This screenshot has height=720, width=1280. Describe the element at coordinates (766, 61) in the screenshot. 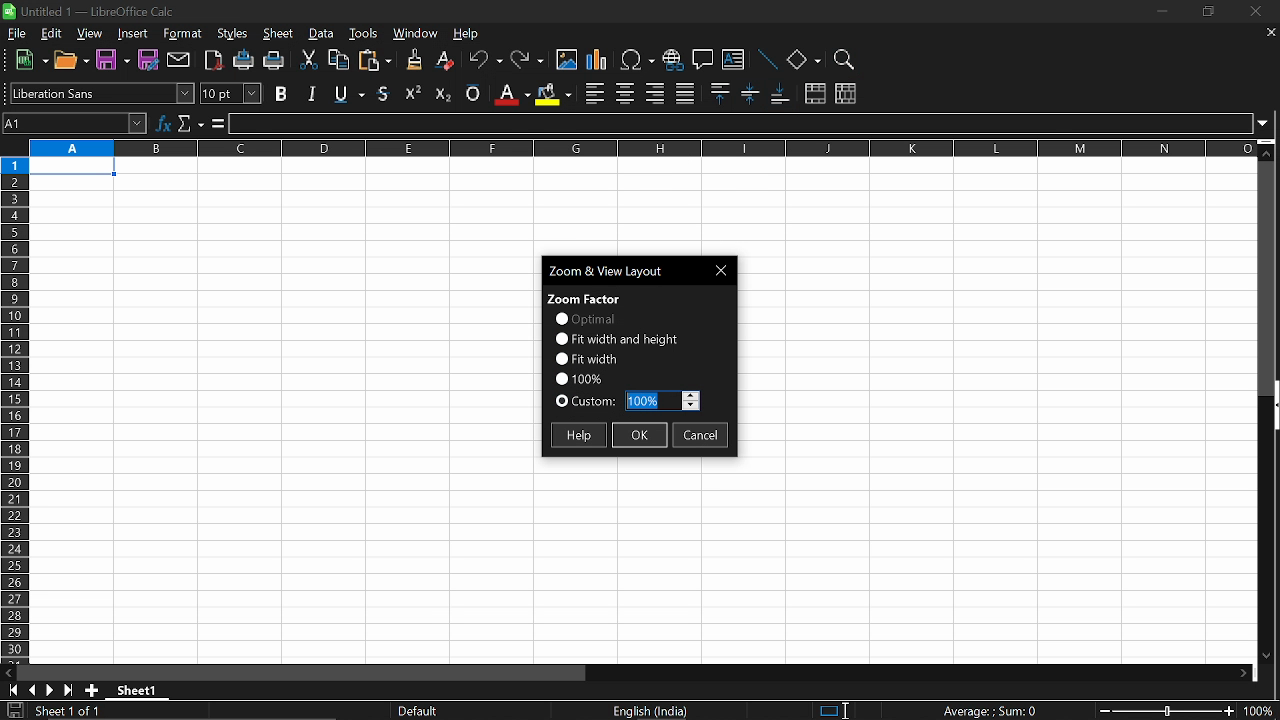

I see `line ` at that location.